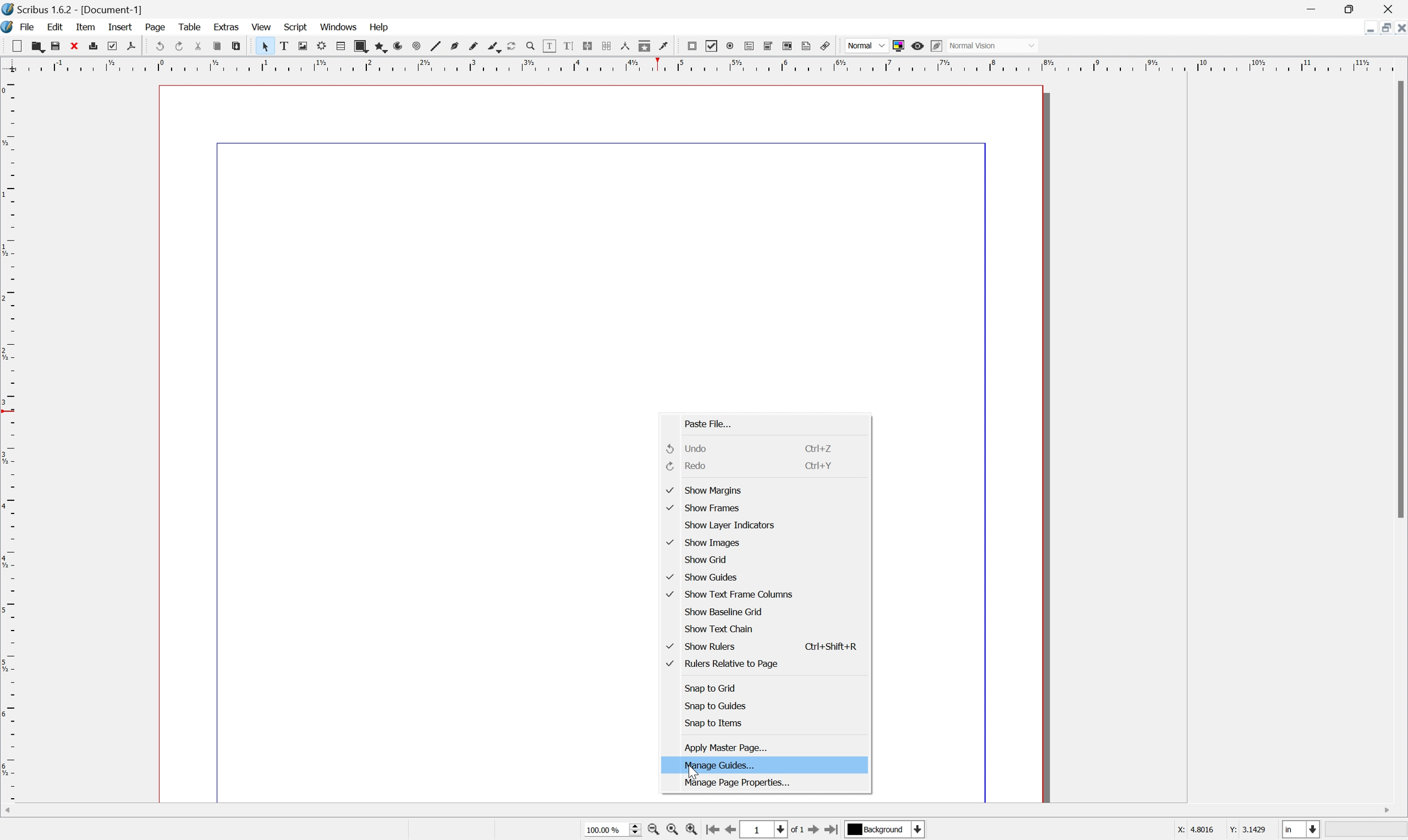 This screenshot has height=840, width=1408. What do you see at coordinates (338, 28) in the screenshot?
I see `windows` at bounding box center [338, 28].